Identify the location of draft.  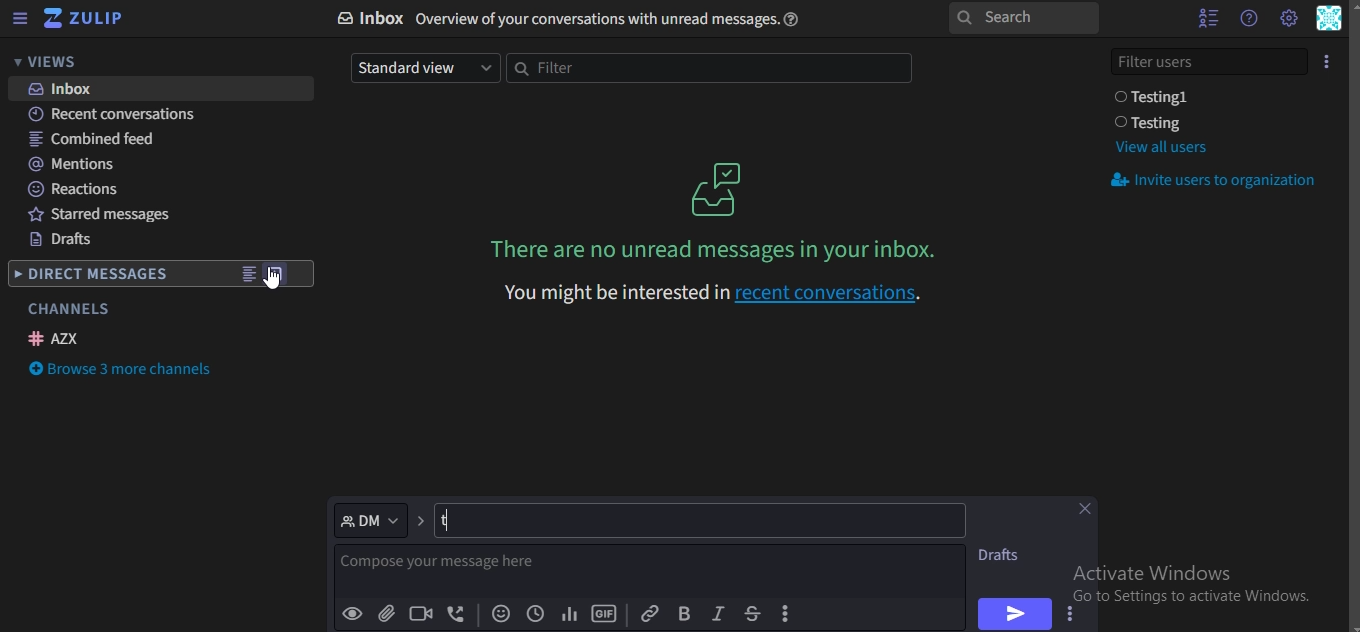
(1005, 555).